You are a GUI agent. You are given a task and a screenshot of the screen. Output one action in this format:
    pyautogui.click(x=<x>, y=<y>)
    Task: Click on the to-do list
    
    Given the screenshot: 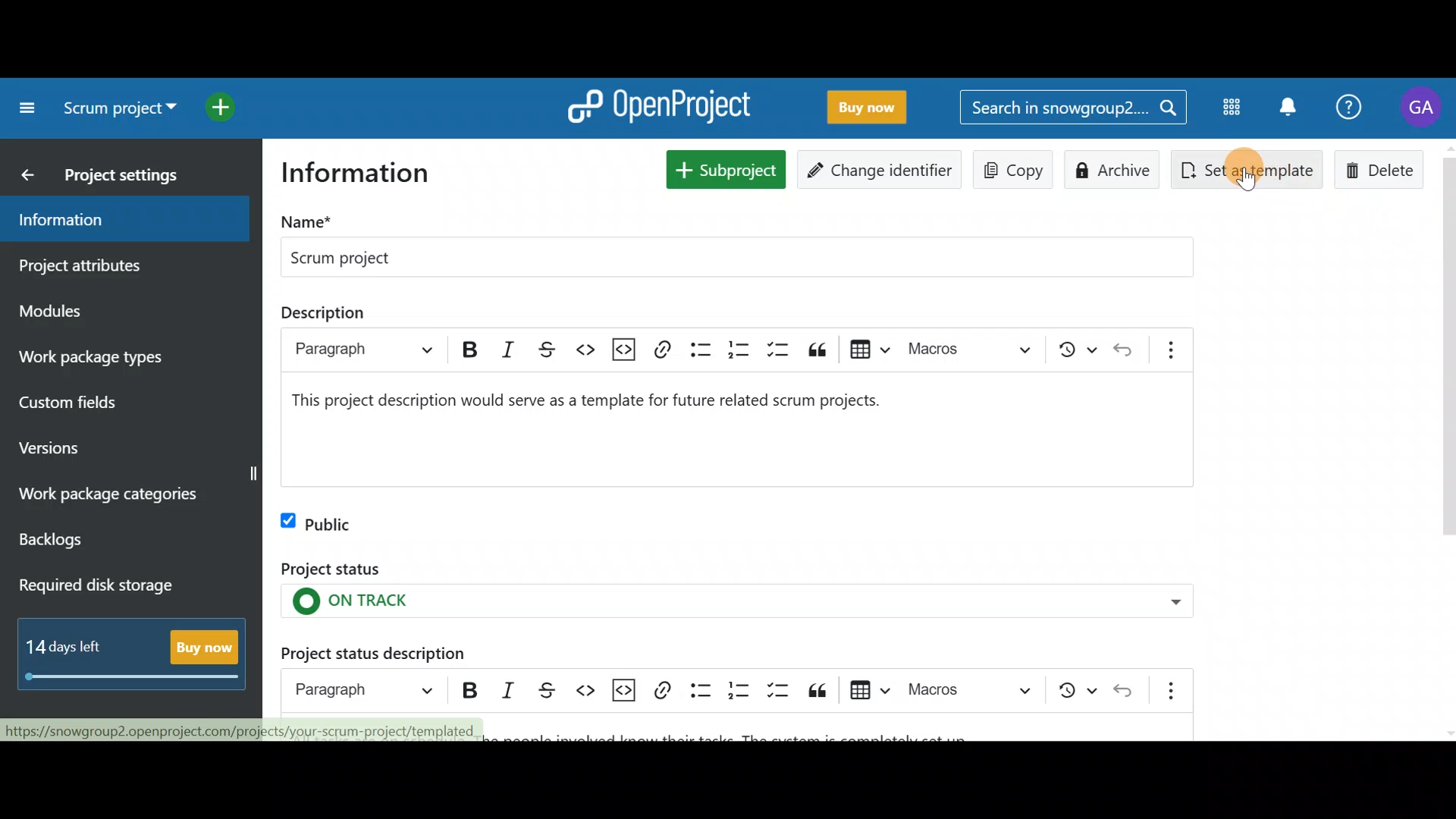 What is the action you would take?
    pyautogui.click(x=777, y=350)
    